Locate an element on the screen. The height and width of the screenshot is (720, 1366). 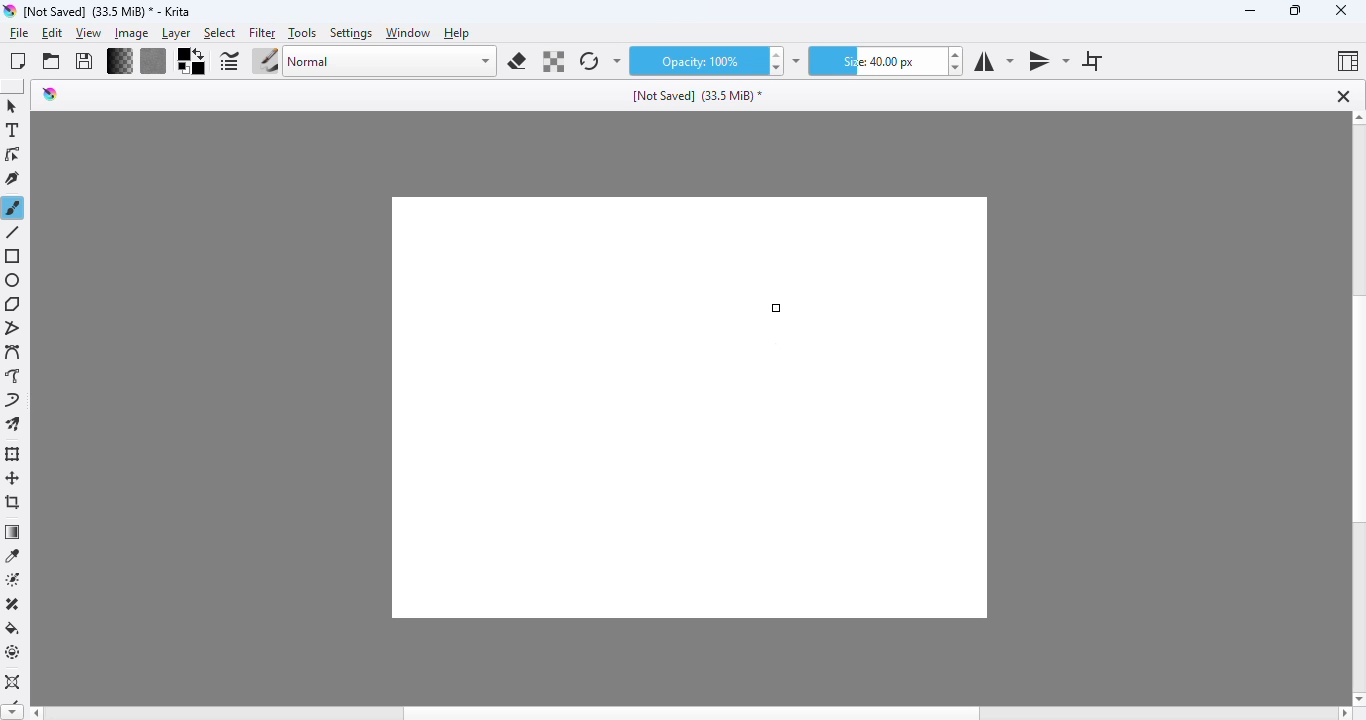
maximize is located at coordinates (1296, 10).